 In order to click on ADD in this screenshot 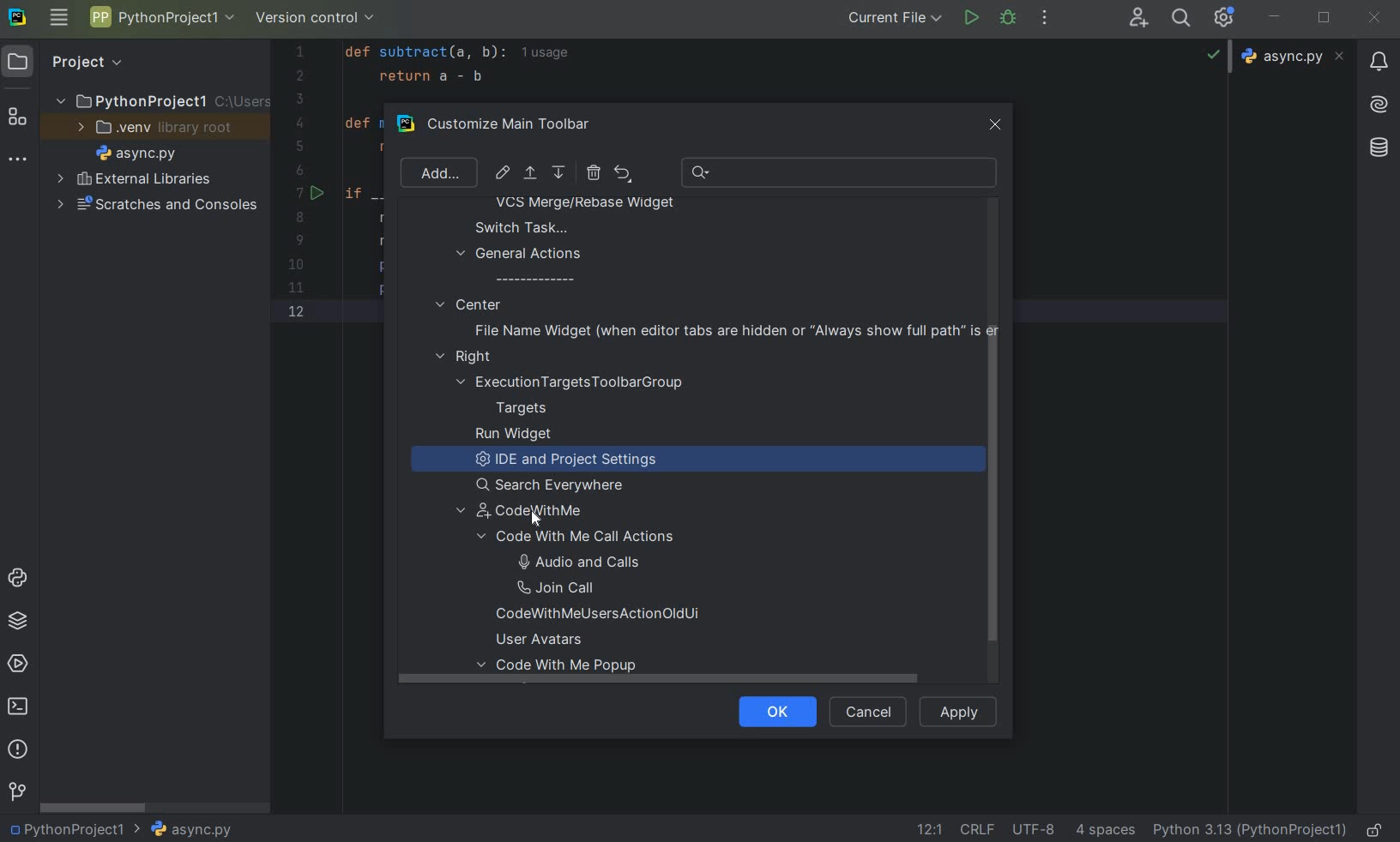, I will do `click(437, 172)`.